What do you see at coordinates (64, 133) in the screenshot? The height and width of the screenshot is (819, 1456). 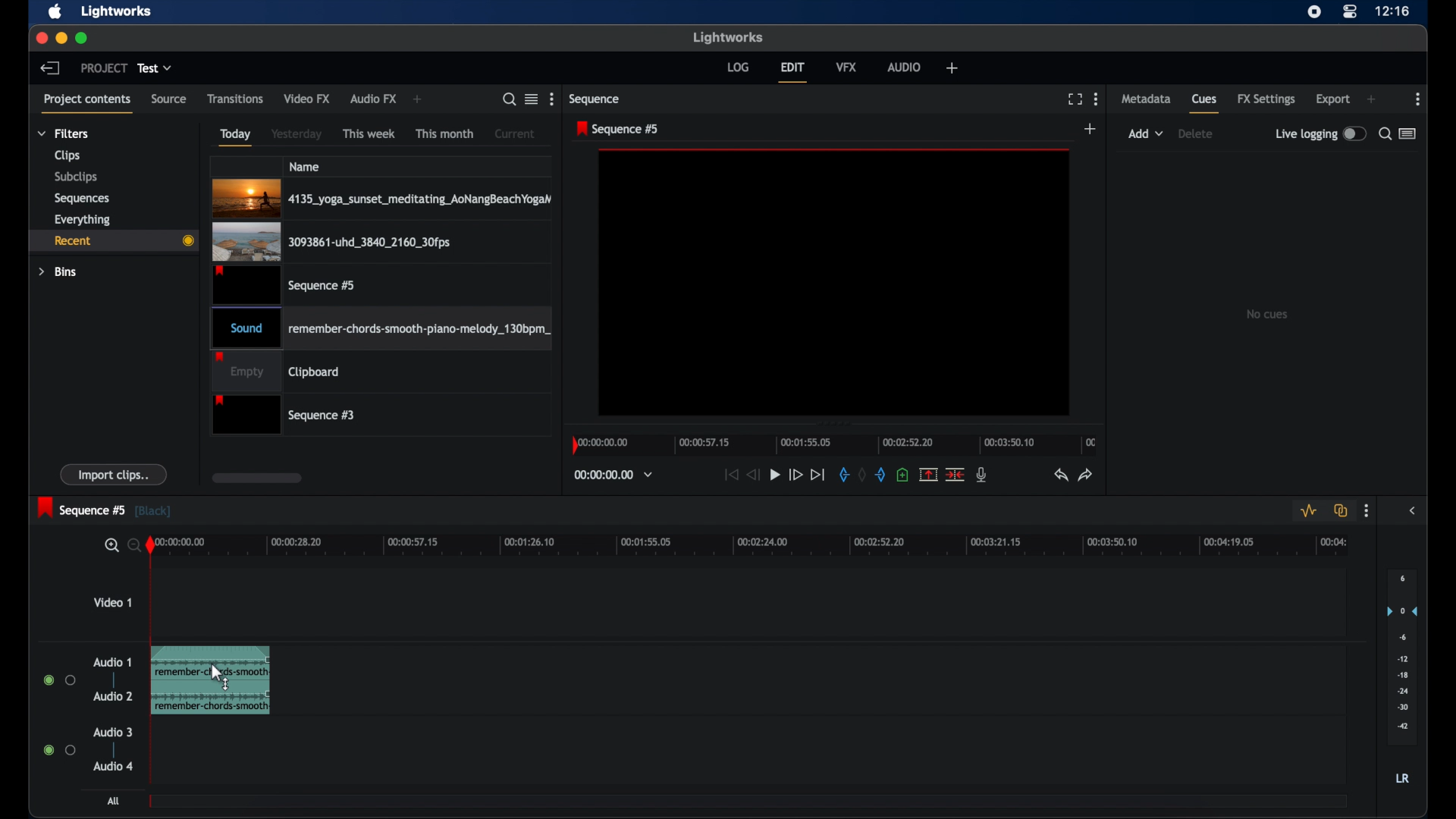 I see `filters` at bounding box center [64, 133].